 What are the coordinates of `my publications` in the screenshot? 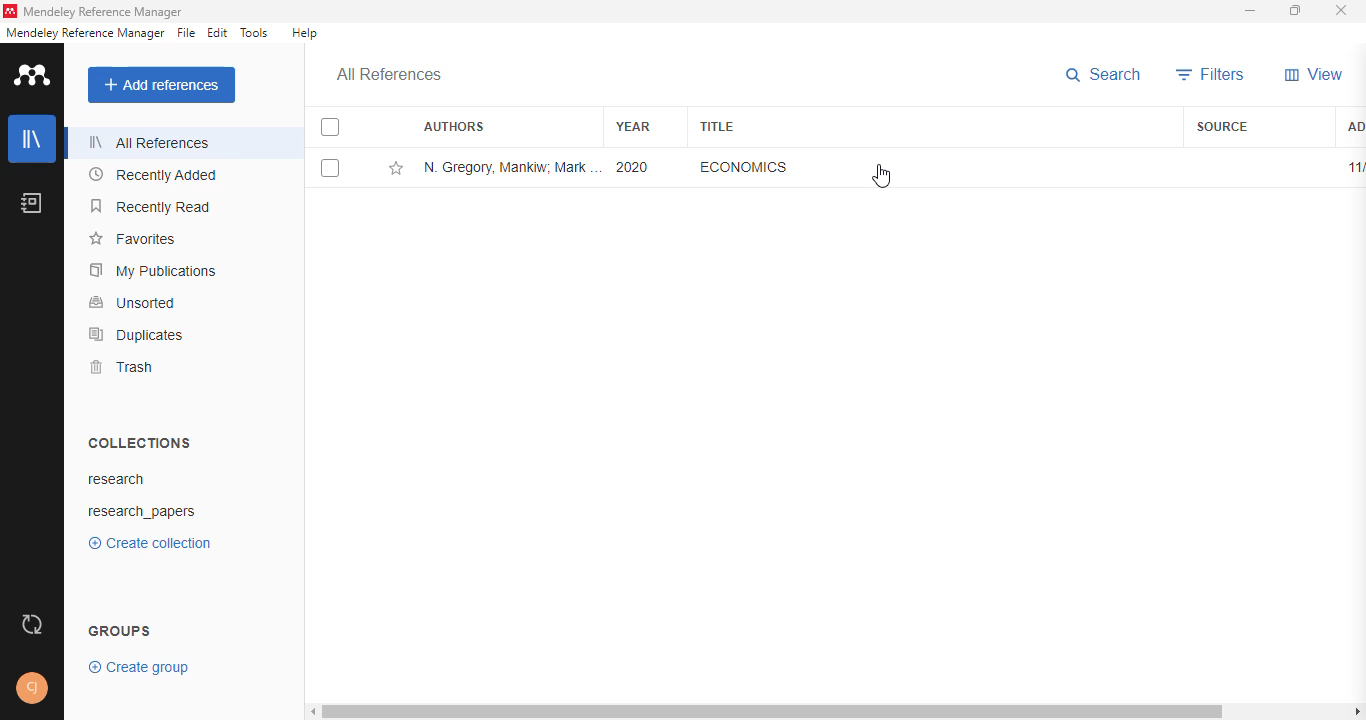 It's located at (153, 271).